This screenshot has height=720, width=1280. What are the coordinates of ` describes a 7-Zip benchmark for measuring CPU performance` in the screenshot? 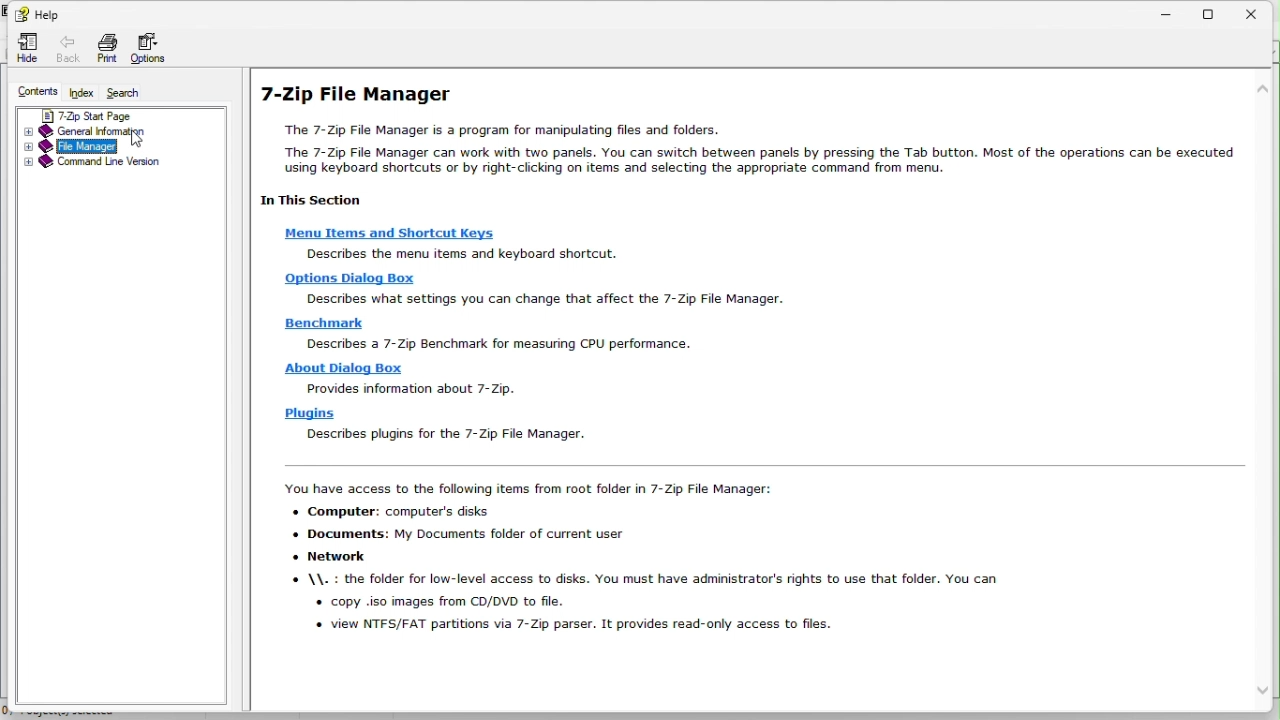 It's located at (496, 346).